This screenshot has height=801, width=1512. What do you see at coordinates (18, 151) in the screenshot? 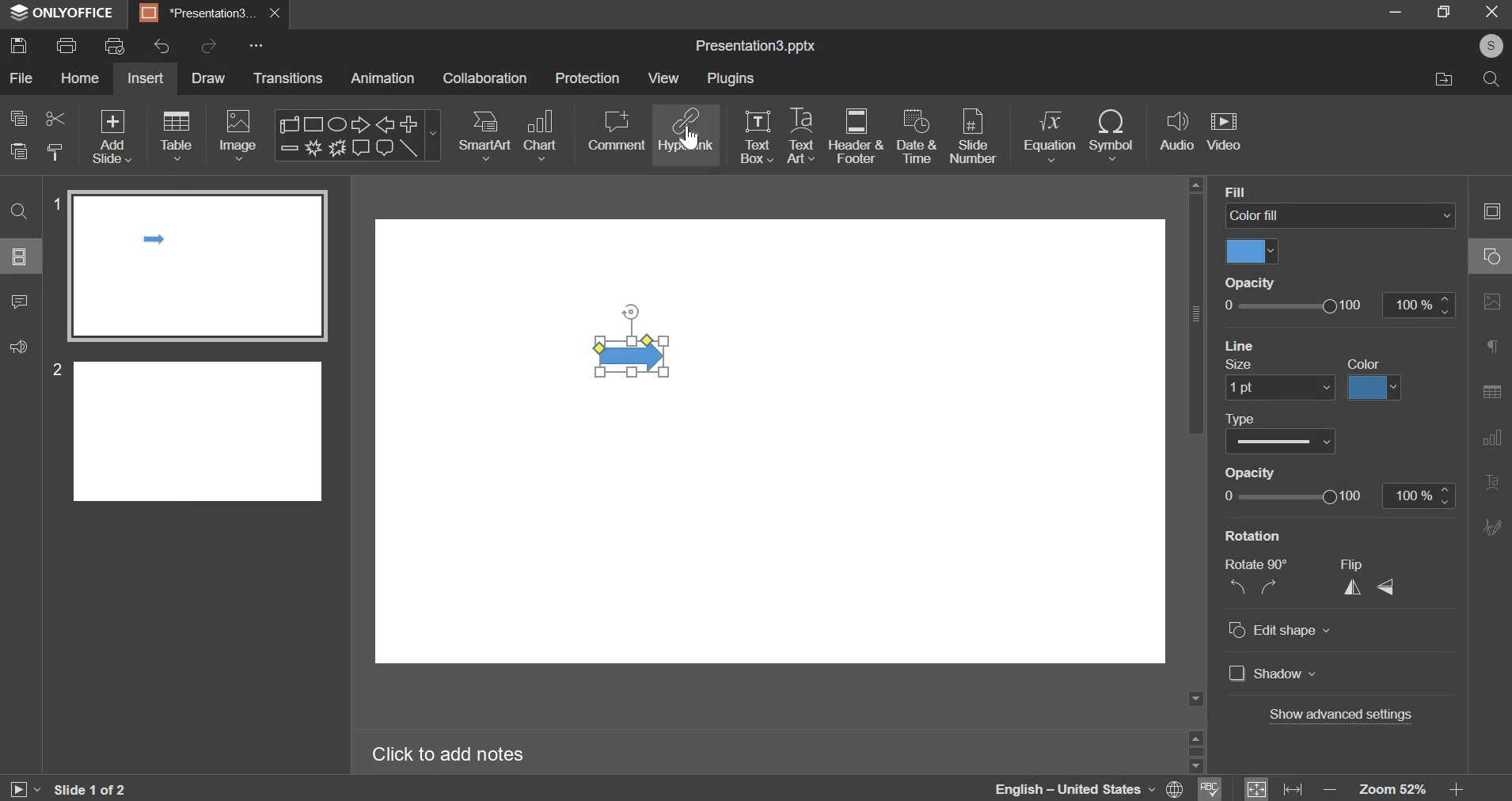
I see `paste` at bounding box center [18, 151].